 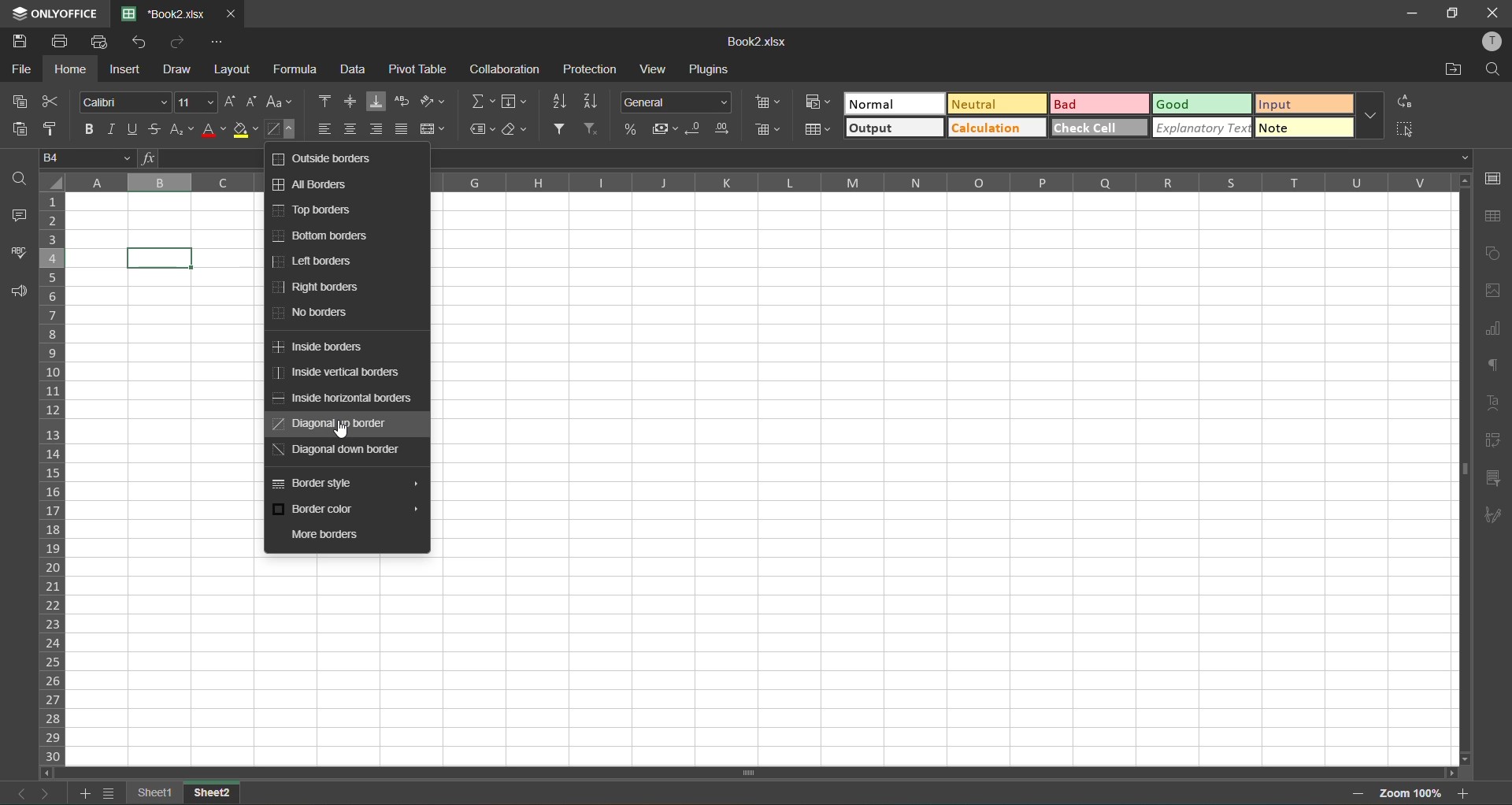 What do you see at coordinates (1496, 365) in the screenshot?
I see `paragraph` at bounding box center [1496, 365].